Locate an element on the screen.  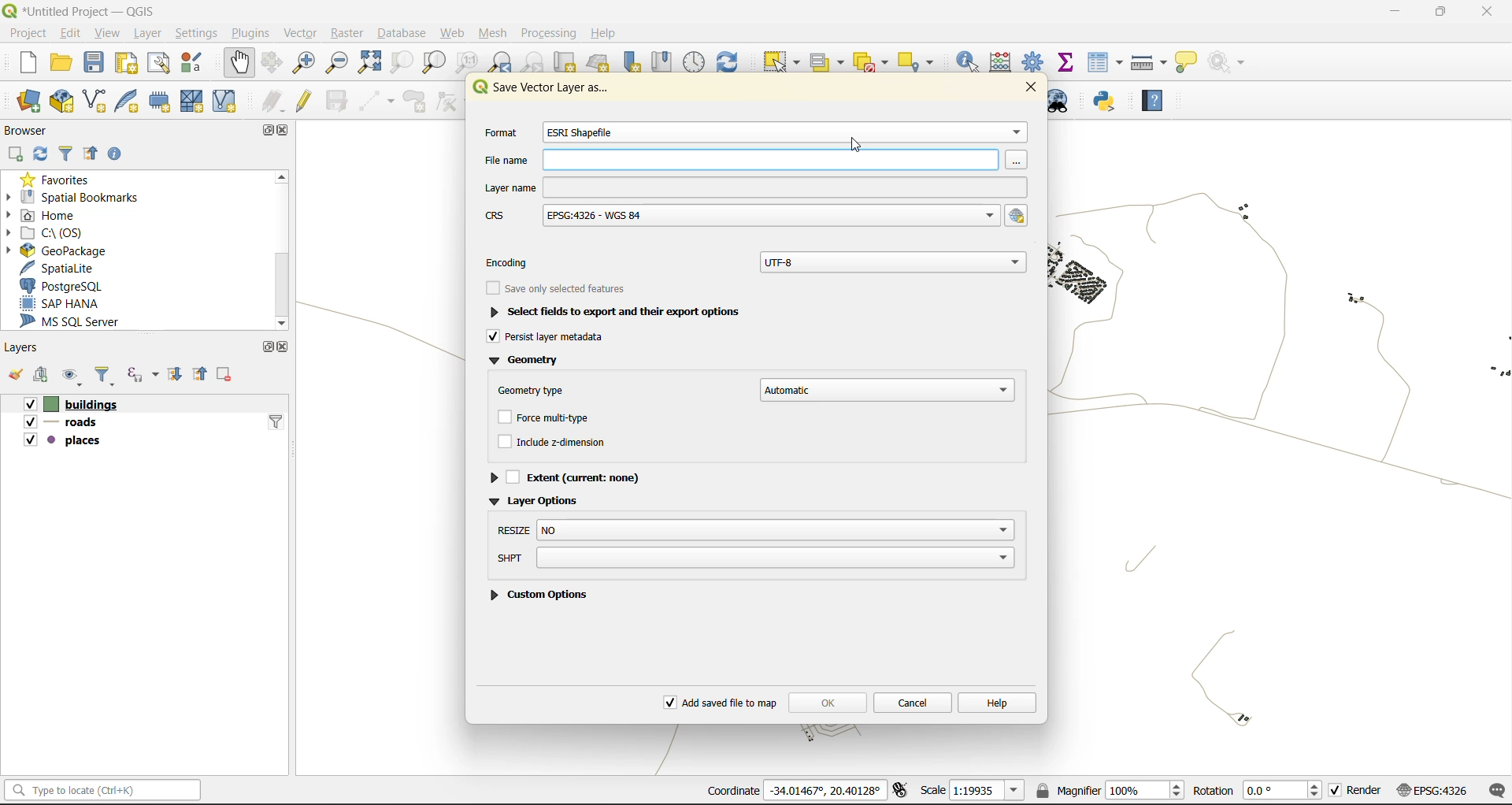
select fields to export and their export options is located at coordinates (611, 311).